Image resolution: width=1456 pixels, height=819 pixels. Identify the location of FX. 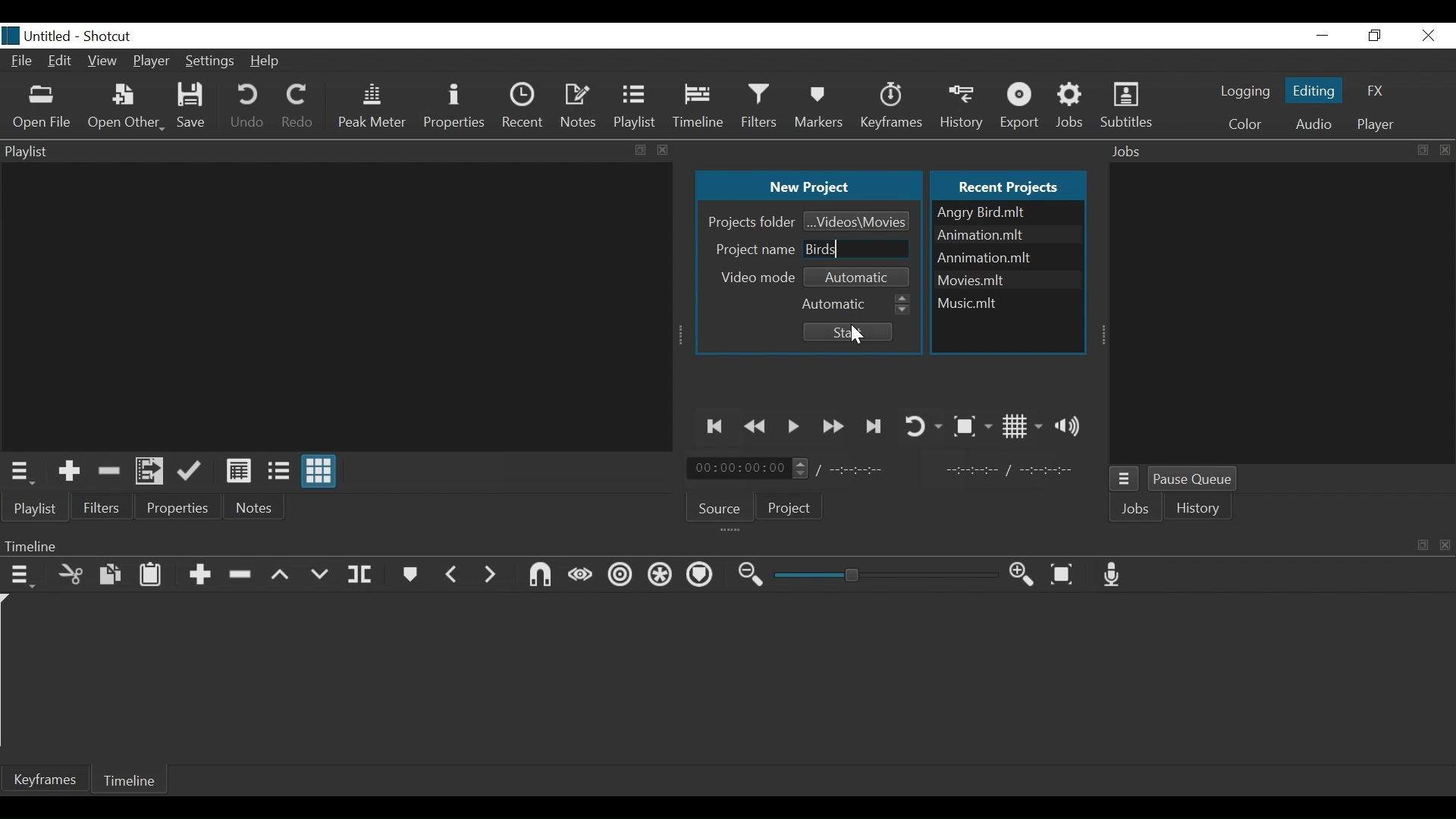
(1376, 92).